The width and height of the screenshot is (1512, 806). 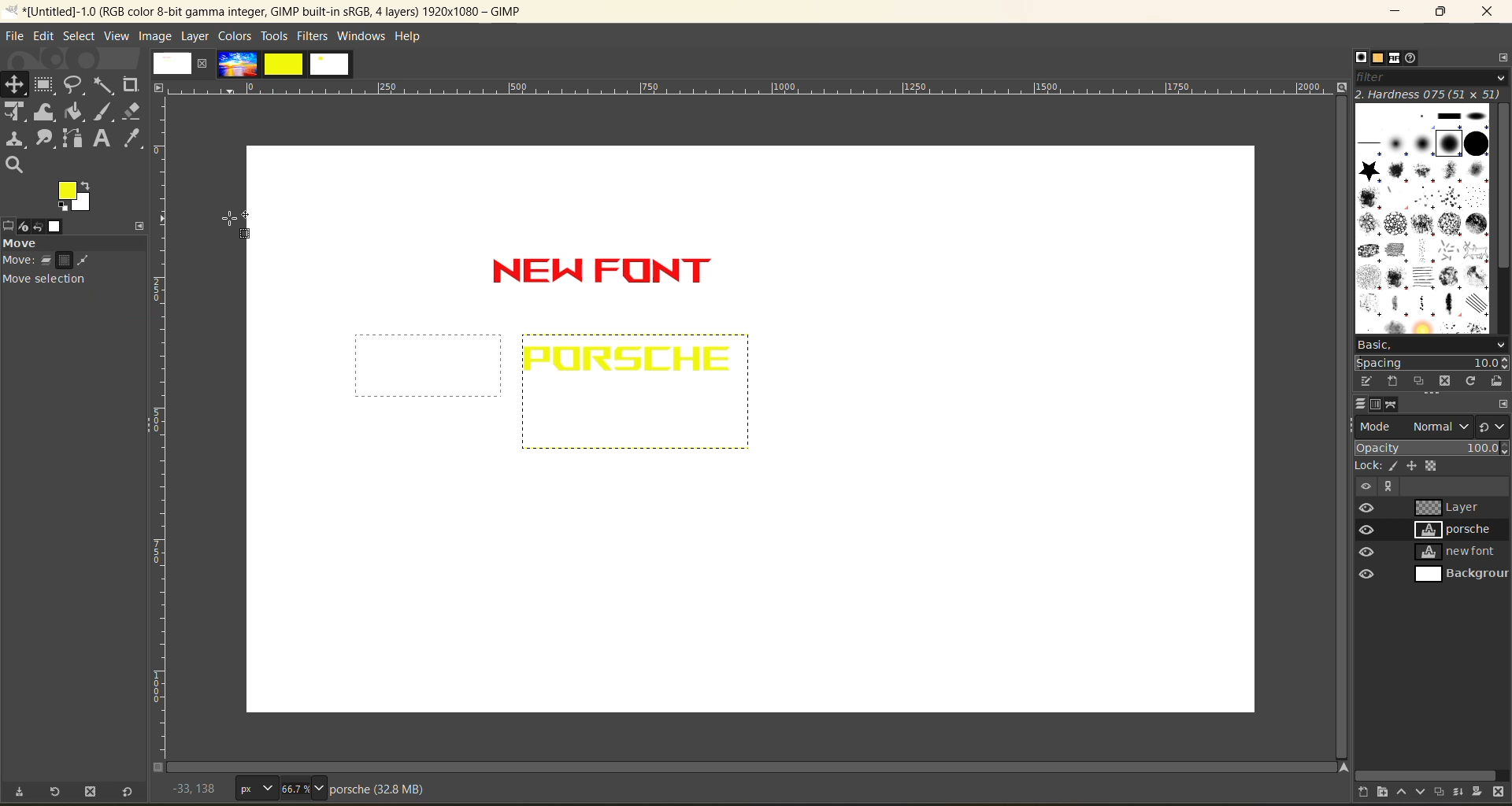 I want to click on cursor, so click(x=237, y=230).